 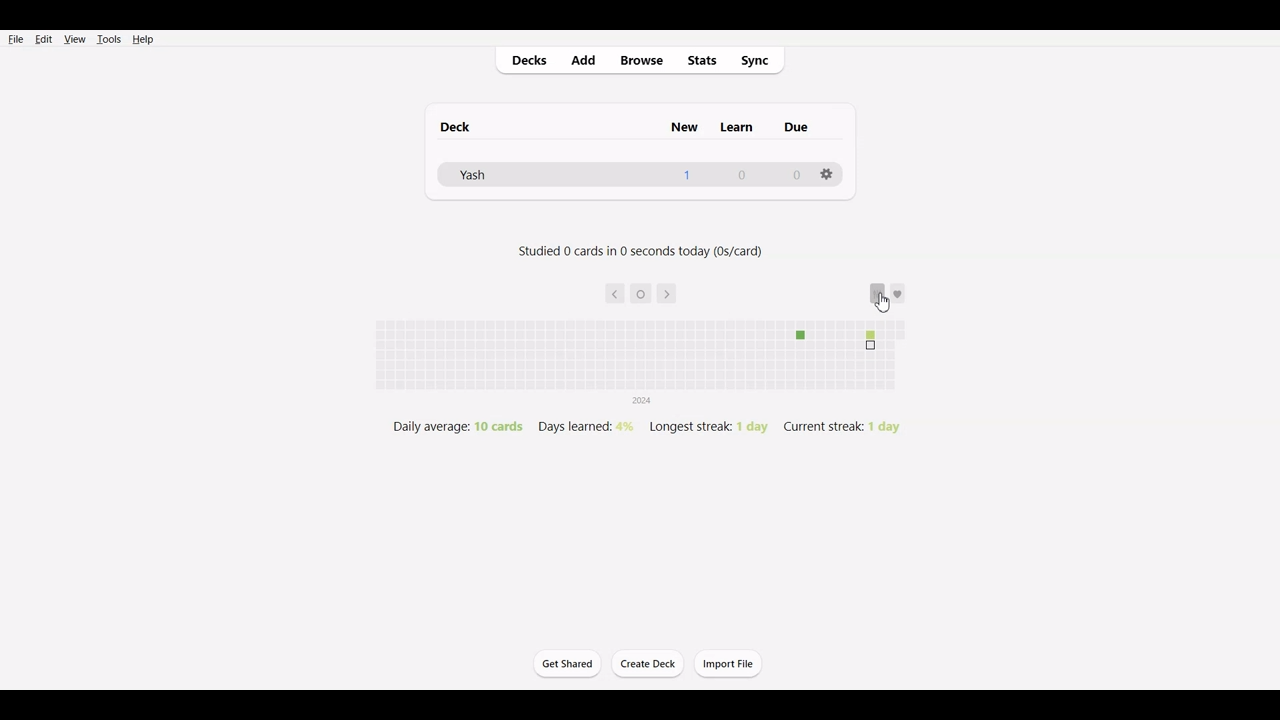 I want to click on , so click(x=808, y=118).